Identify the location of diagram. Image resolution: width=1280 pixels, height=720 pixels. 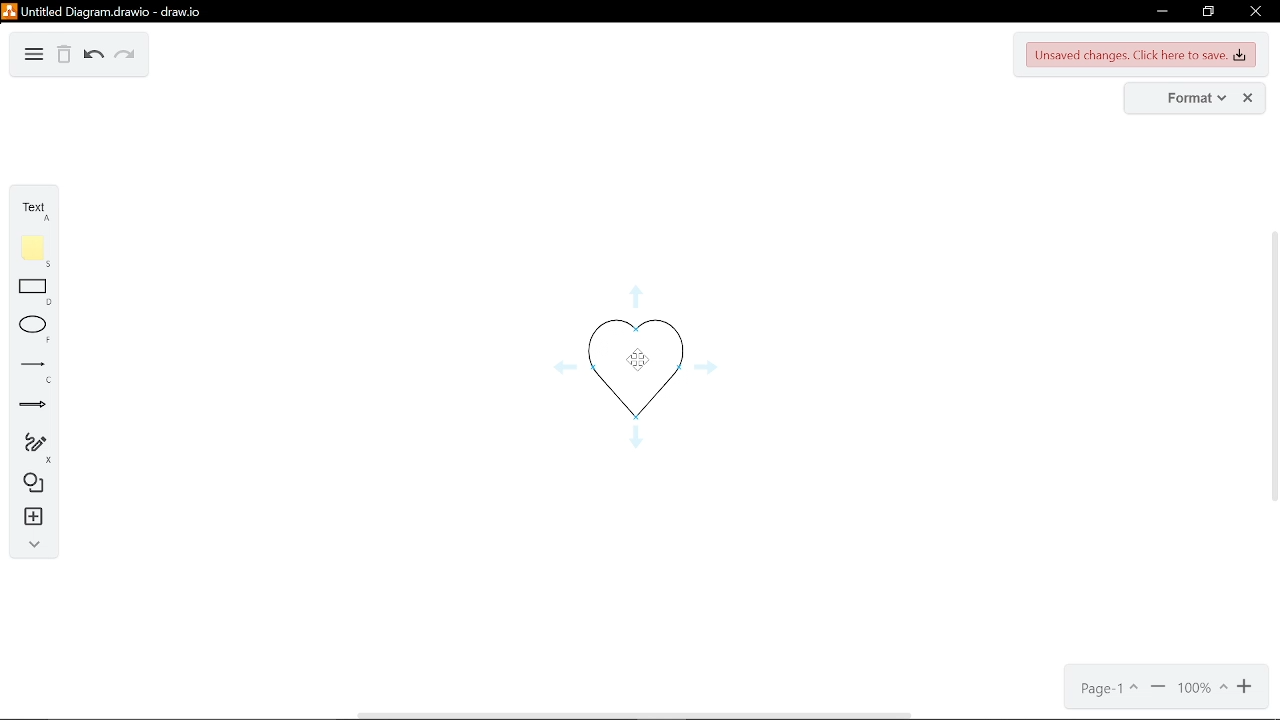
(35, 56).